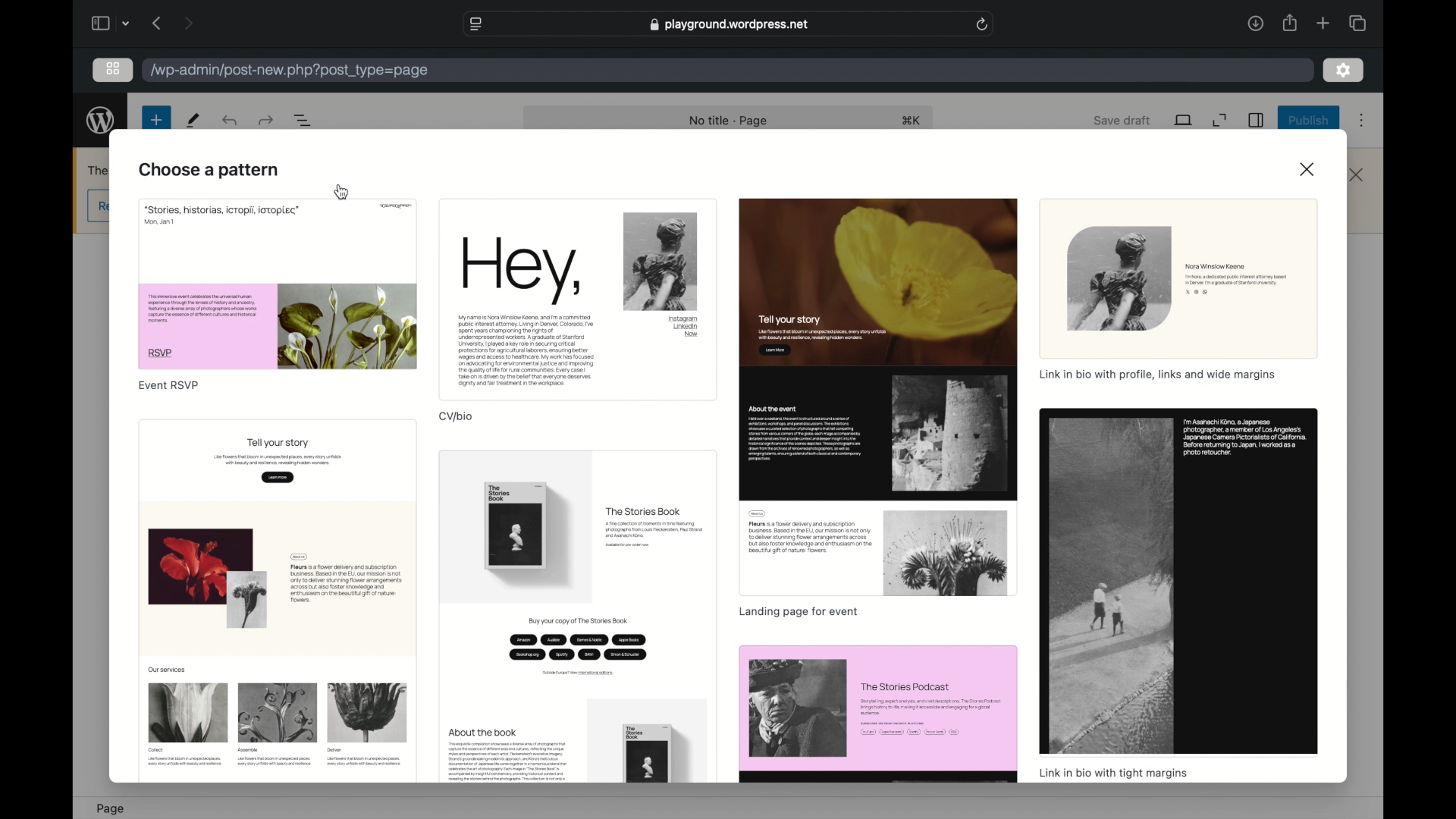 The width and height of the screenshot is (1456, 819). Describe the element at coordinates (188, 23) in the screenshot. I see `next page` at that location.